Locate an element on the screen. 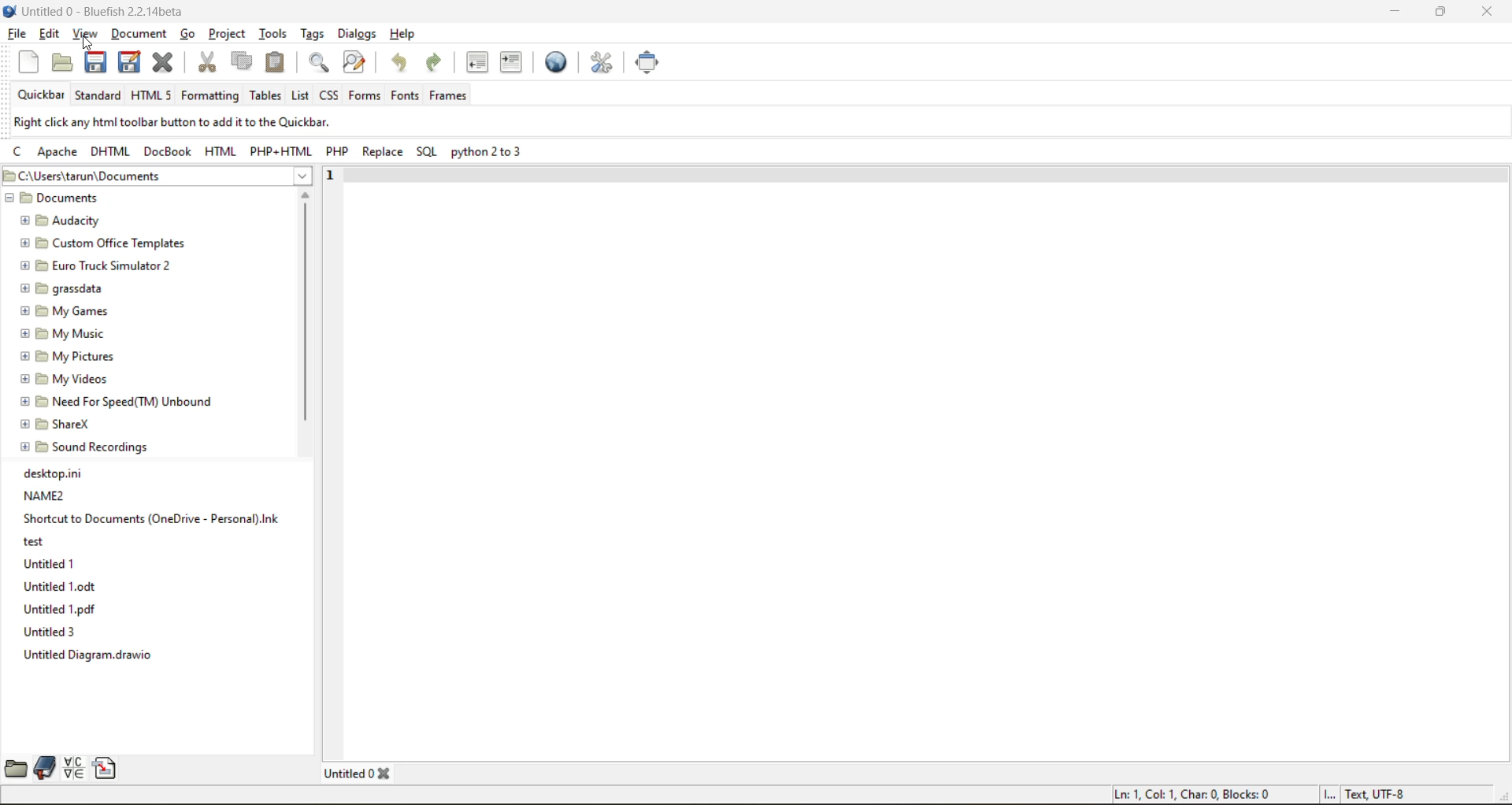  document is located at coordinates (142, 35).